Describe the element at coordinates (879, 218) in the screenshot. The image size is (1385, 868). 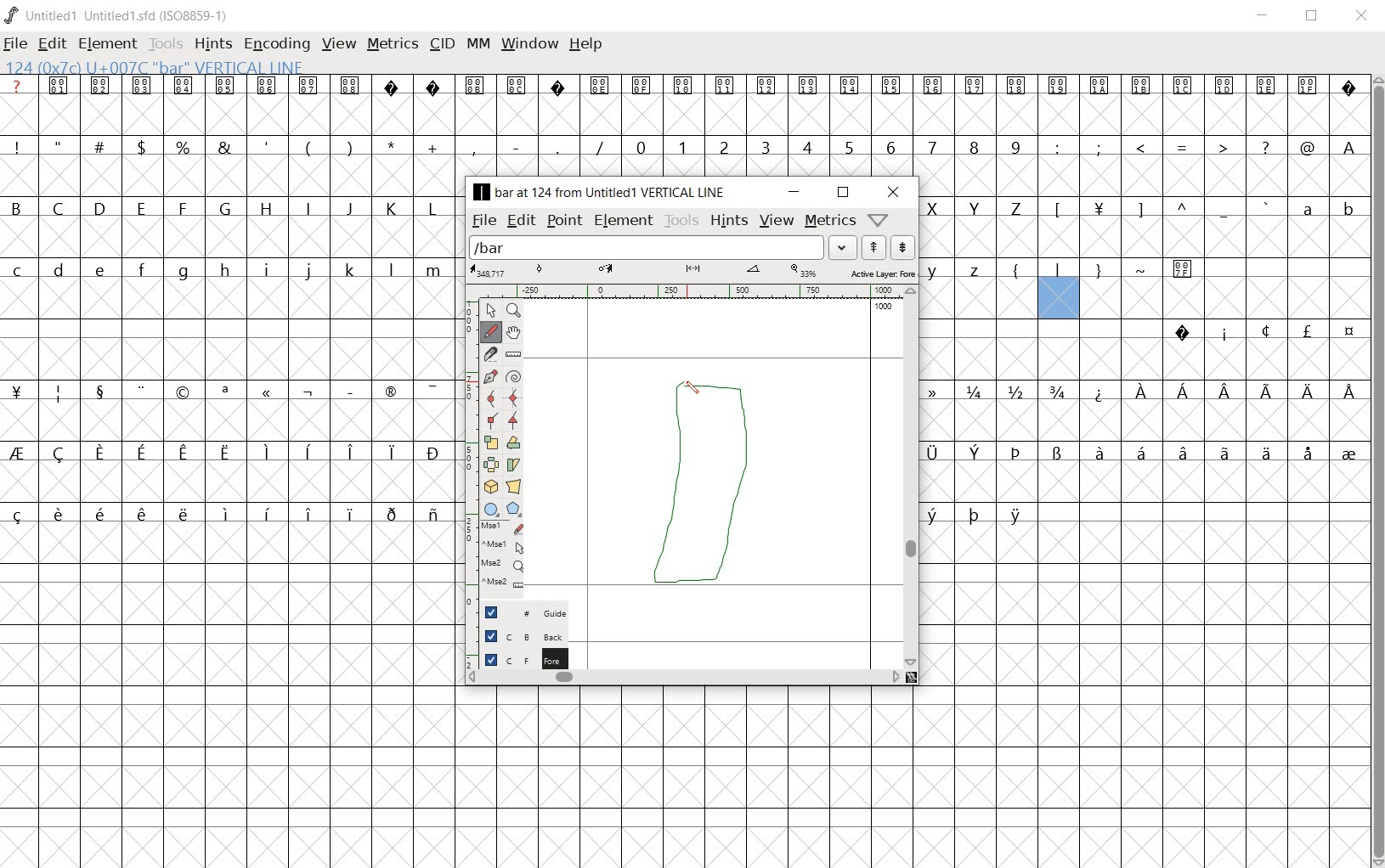
I see `help/window` at that location.